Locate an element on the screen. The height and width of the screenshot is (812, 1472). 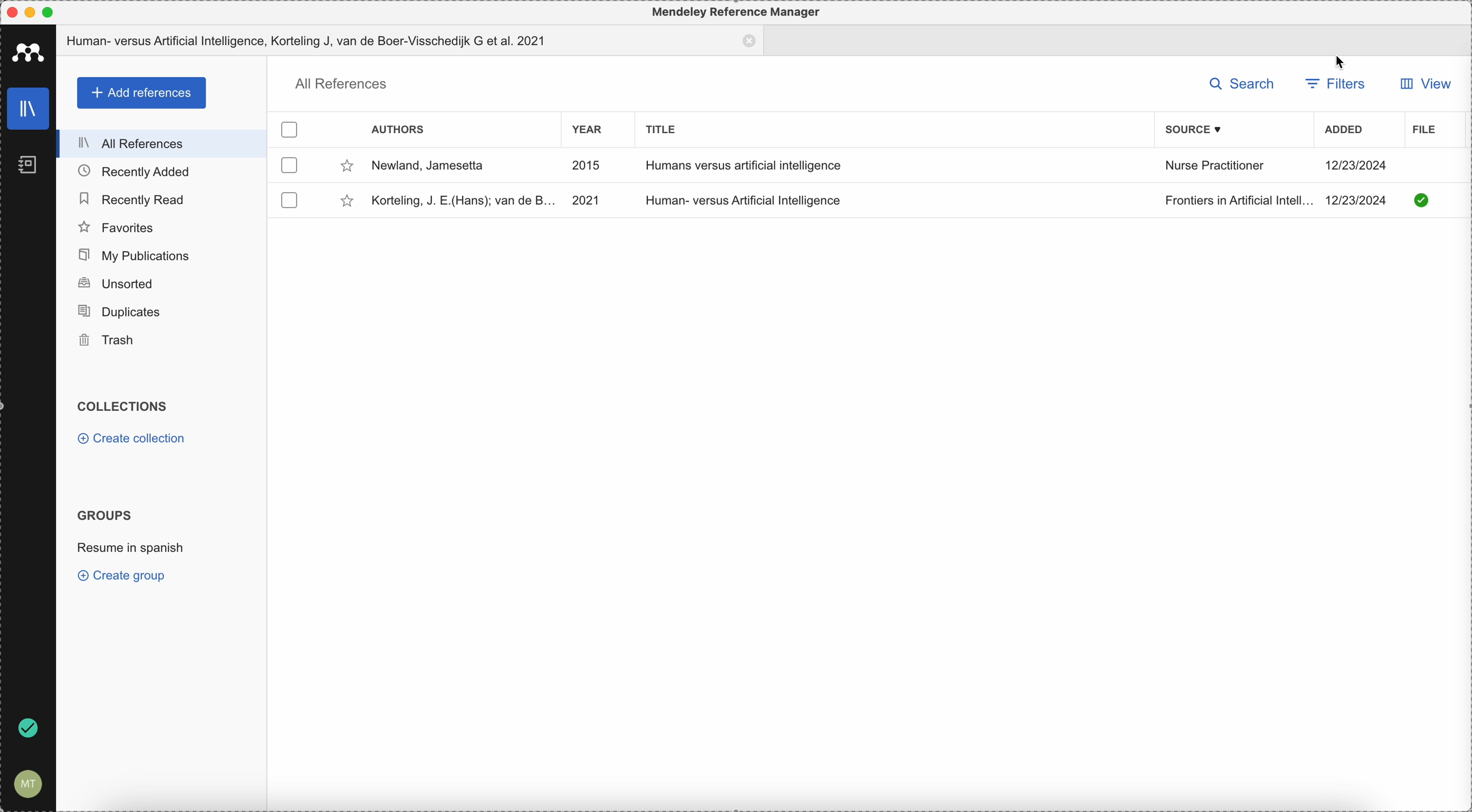
file is located at coordinates (1423, 129).